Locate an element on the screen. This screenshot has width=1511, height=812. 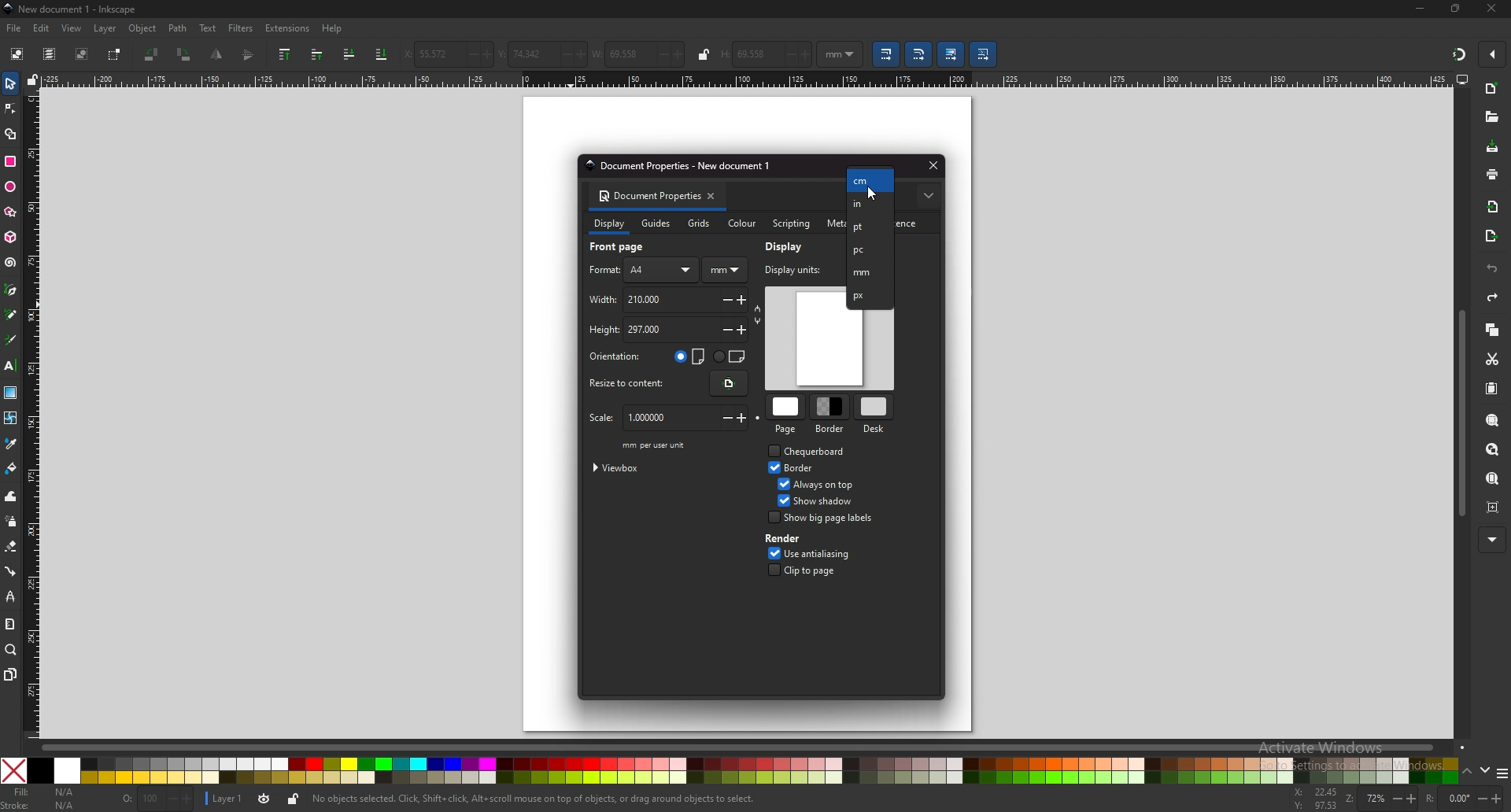
more is located at coordinates (928, 196).